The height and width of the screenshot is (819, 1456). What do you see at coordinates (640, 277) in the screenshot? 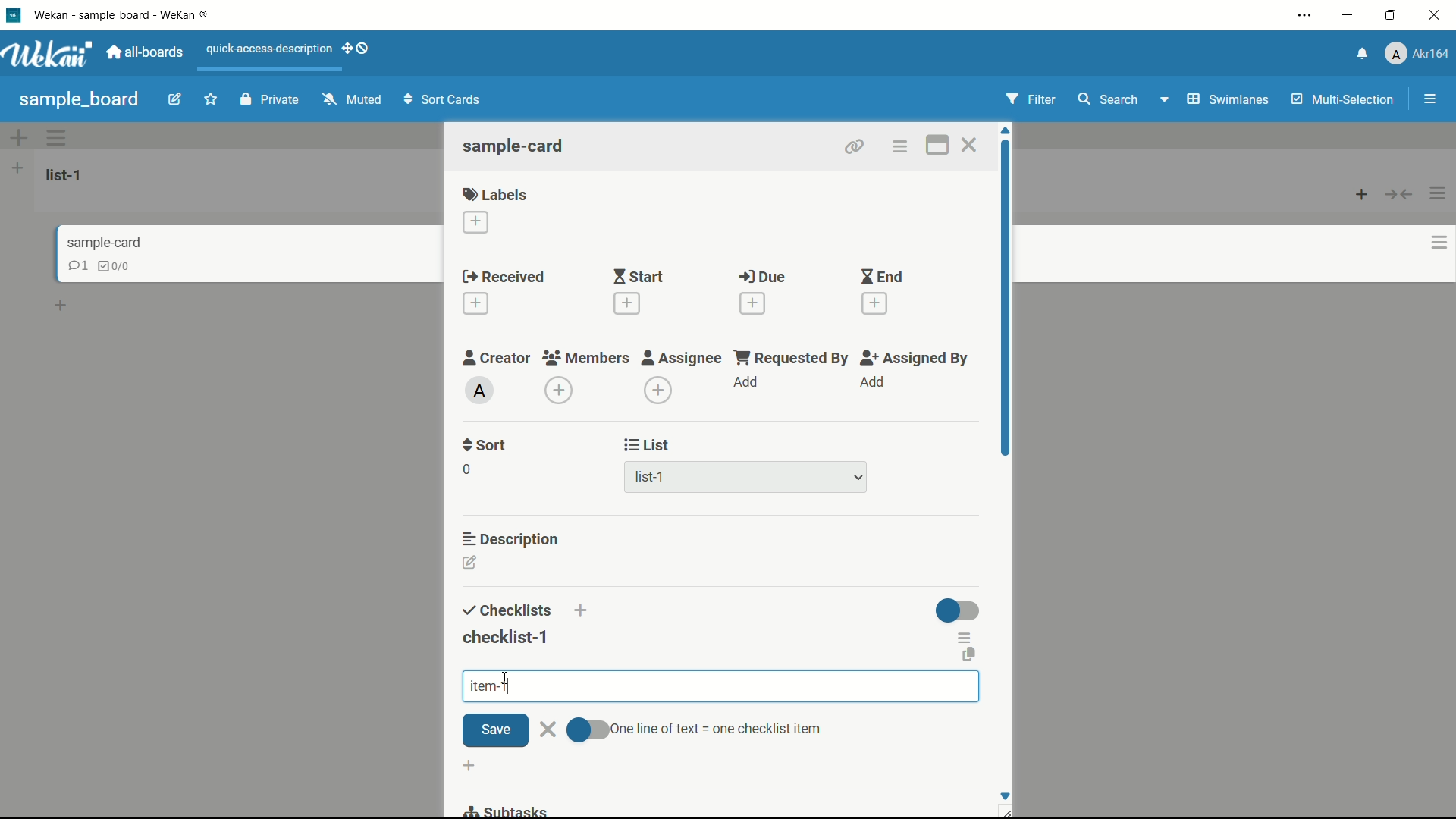
I see `start` at bounding box center [640, 277].